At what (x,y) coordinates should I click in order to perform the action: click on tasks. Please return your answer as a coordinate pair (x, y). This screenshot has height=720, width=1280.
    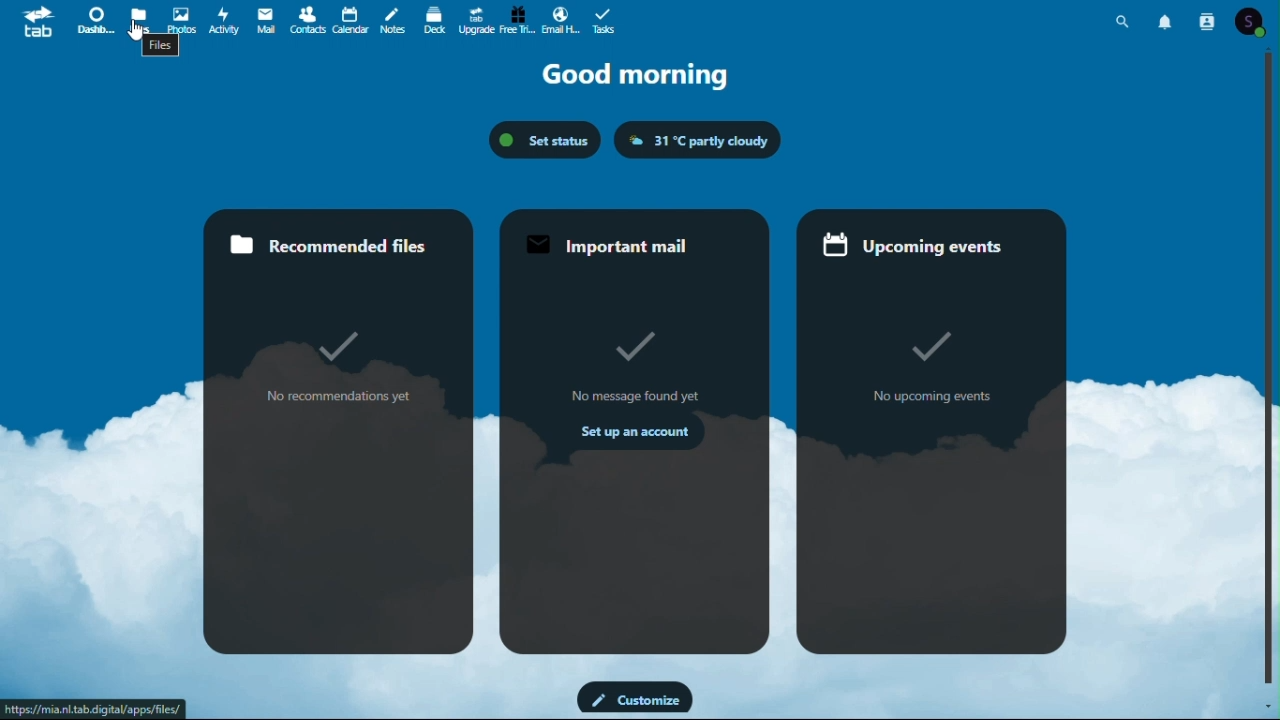
    Looking at the image, I should click on (604, 19).